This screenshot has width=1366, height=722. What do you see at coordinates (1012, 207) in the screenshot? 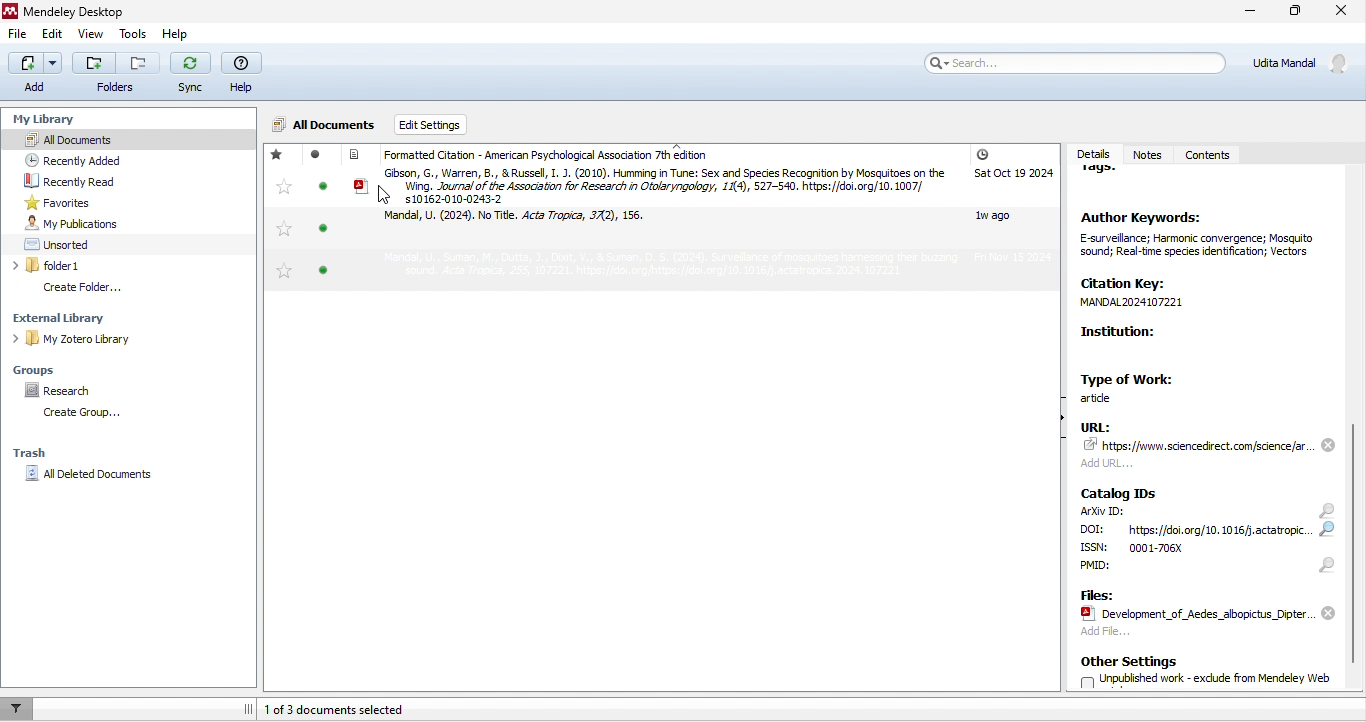
I see `added date` at bounding box center [1012, 207].